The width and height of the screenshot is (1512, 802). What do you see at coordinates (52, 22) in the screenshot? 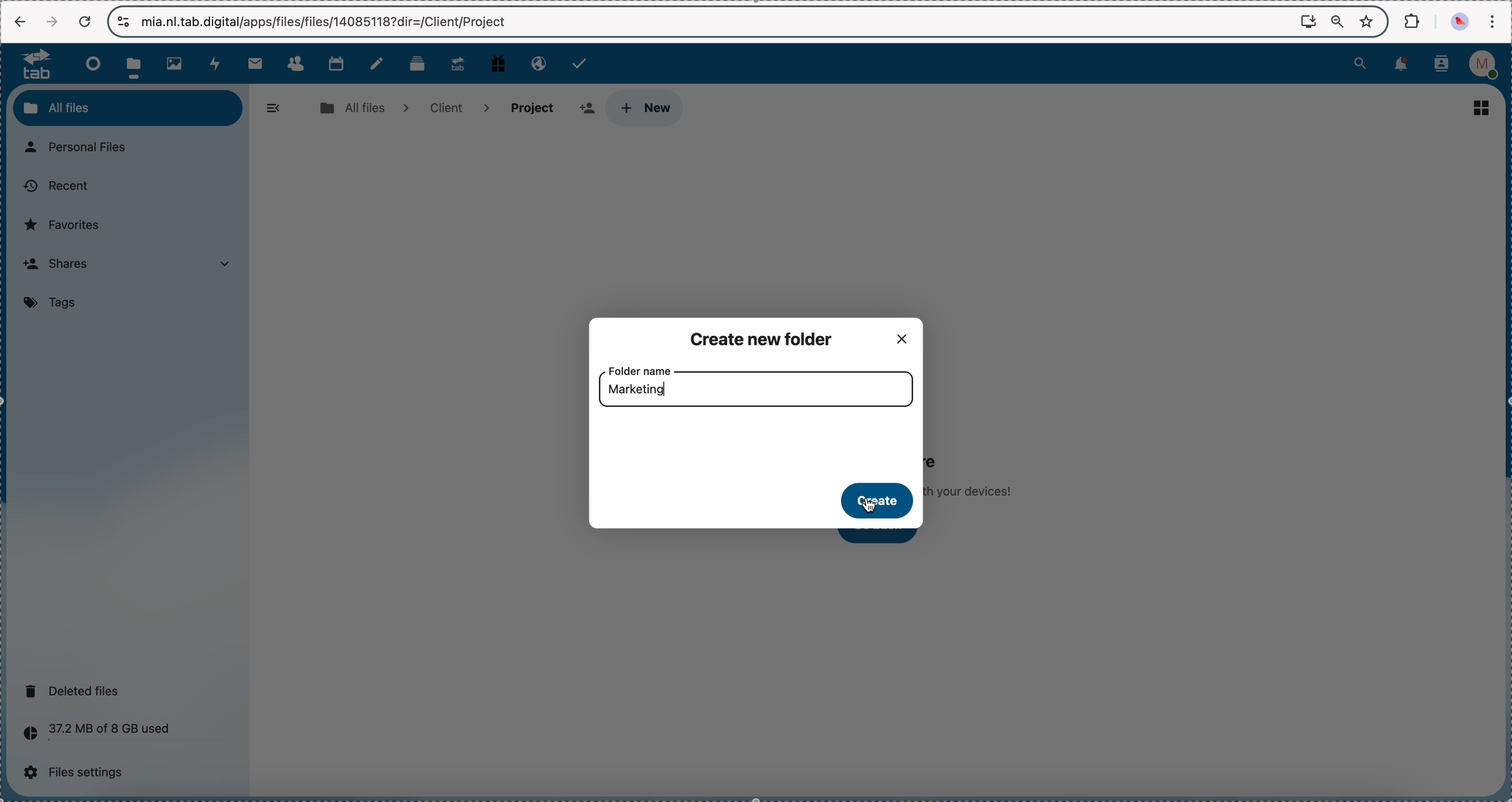
I see `navigate foward` at bounding box center [52, 22].